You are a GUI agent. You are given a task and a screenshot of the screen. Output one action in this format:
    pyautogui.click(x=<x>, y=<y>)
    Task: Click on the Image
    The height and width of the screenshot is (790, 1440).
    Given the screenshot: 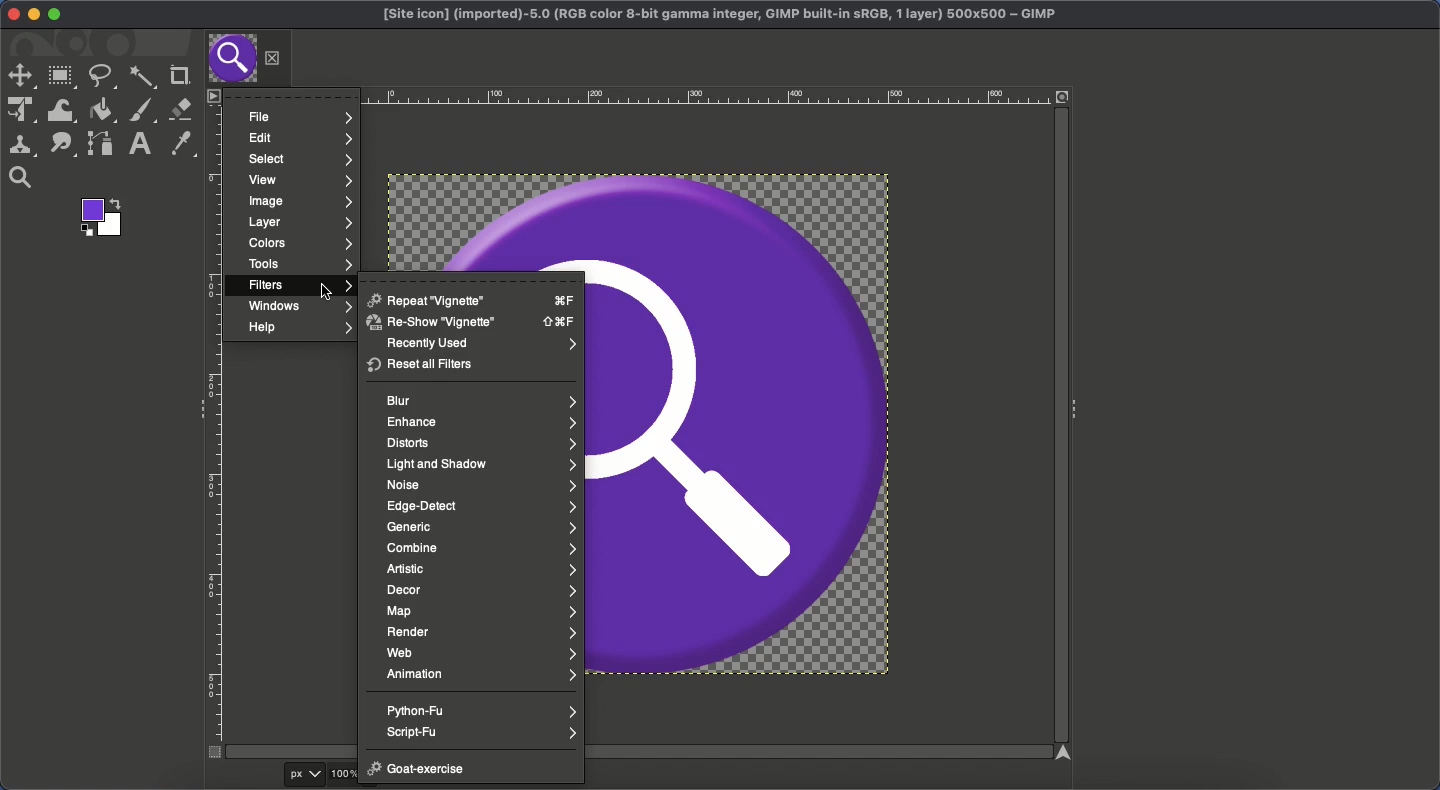 What is the action you would take?
    pyautogui.click(x=300, y=200)
    